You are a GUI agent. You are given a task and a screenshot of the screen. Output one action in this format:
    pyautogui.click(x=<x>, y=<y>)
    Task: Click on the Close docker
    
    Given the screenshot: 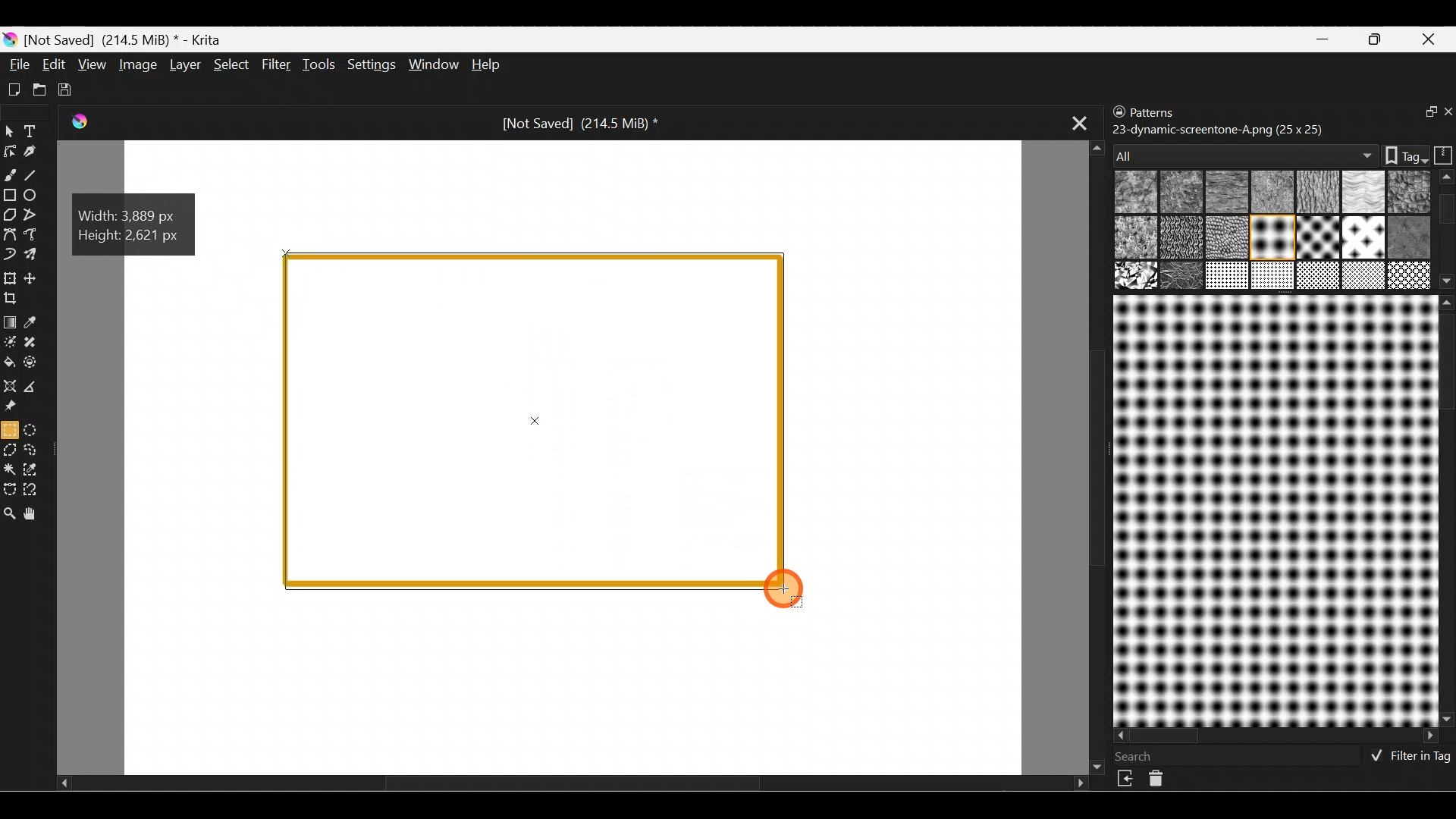 What is the action you would take?
    pyautogui.click(x=1446, y=113)
    